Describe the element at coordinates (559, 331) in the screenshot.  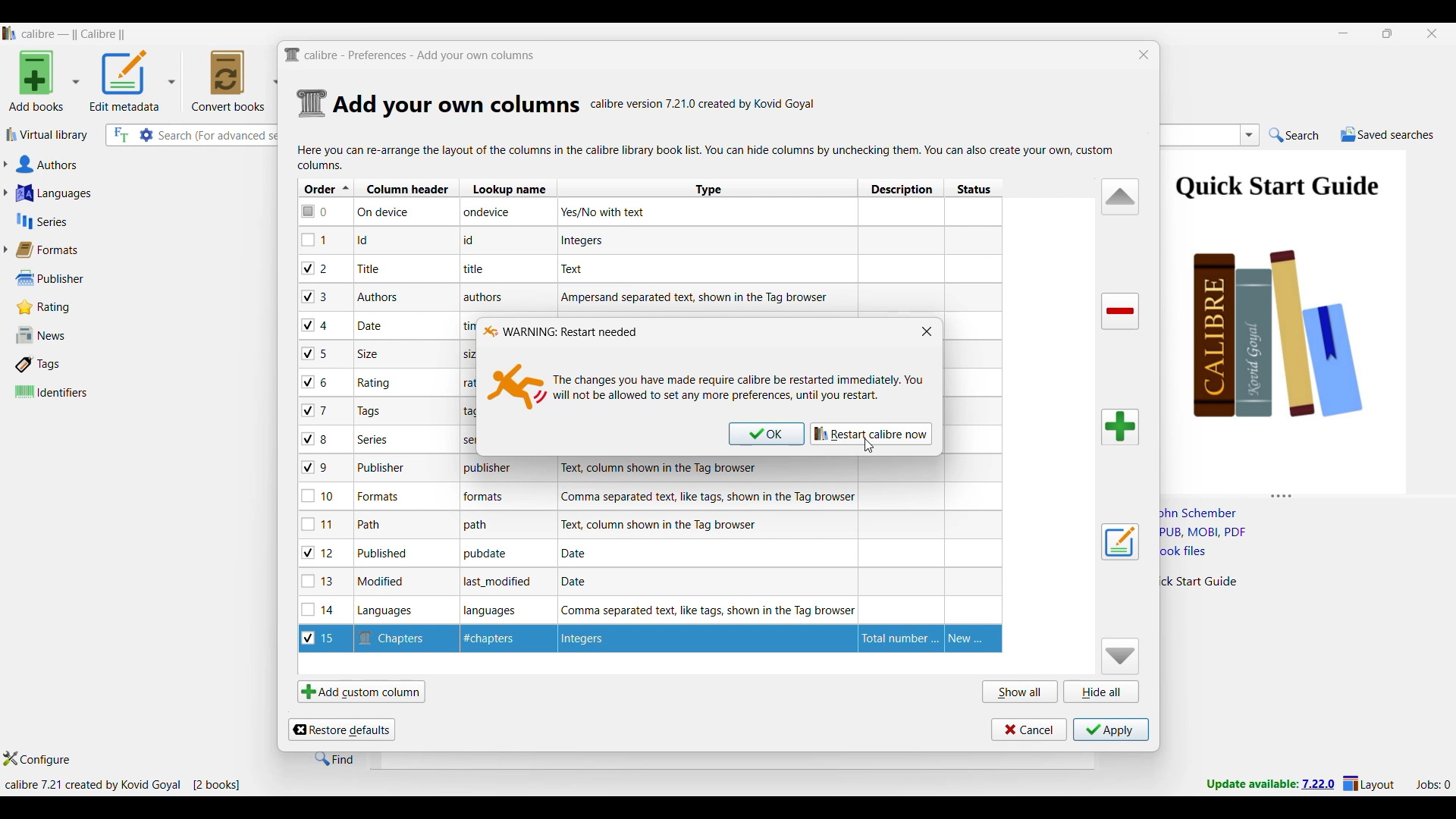
I see `Window logo and name` at that location.